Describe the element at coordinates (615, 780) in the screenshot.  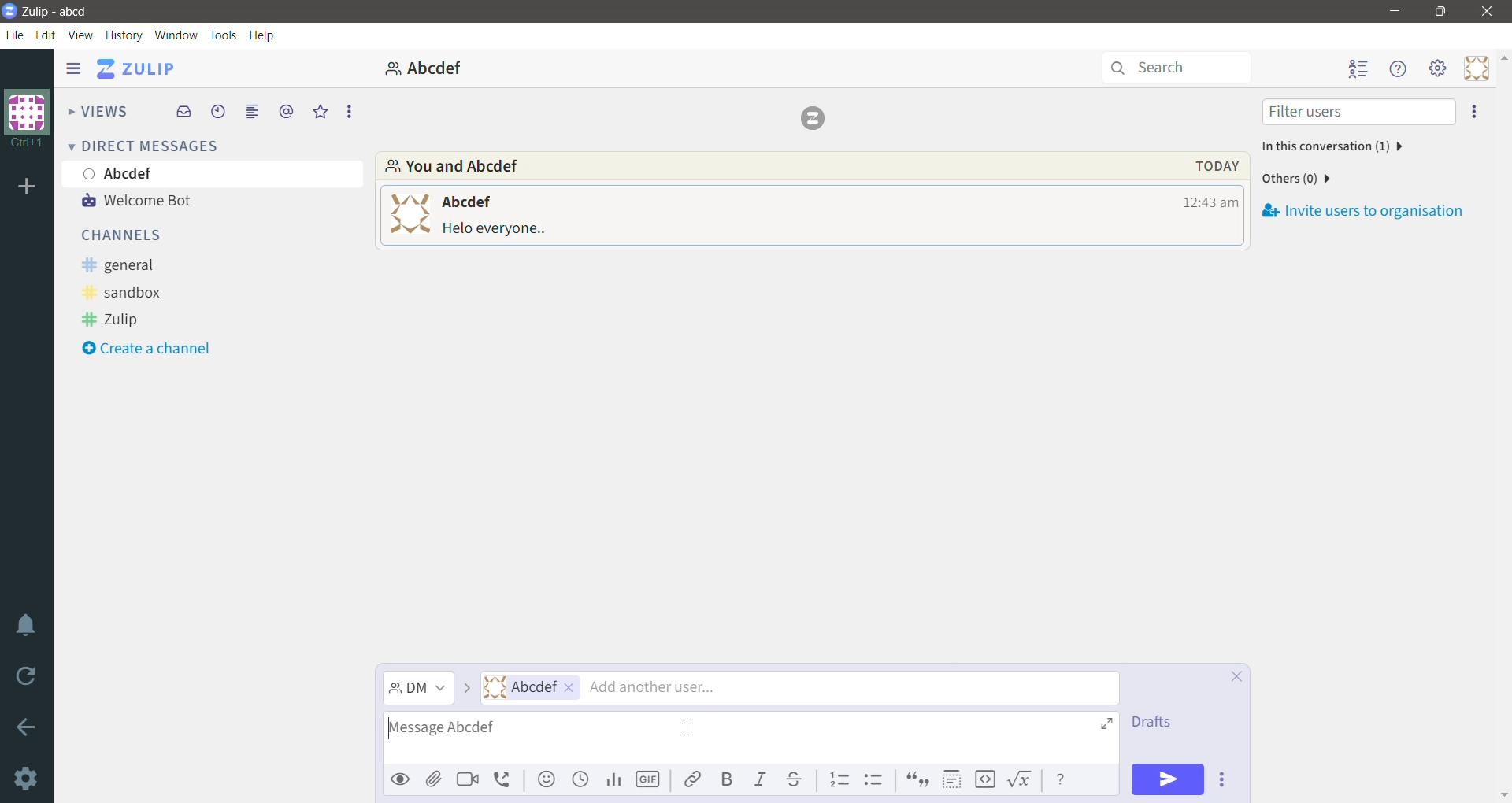
I see `Add Poll` at that location.